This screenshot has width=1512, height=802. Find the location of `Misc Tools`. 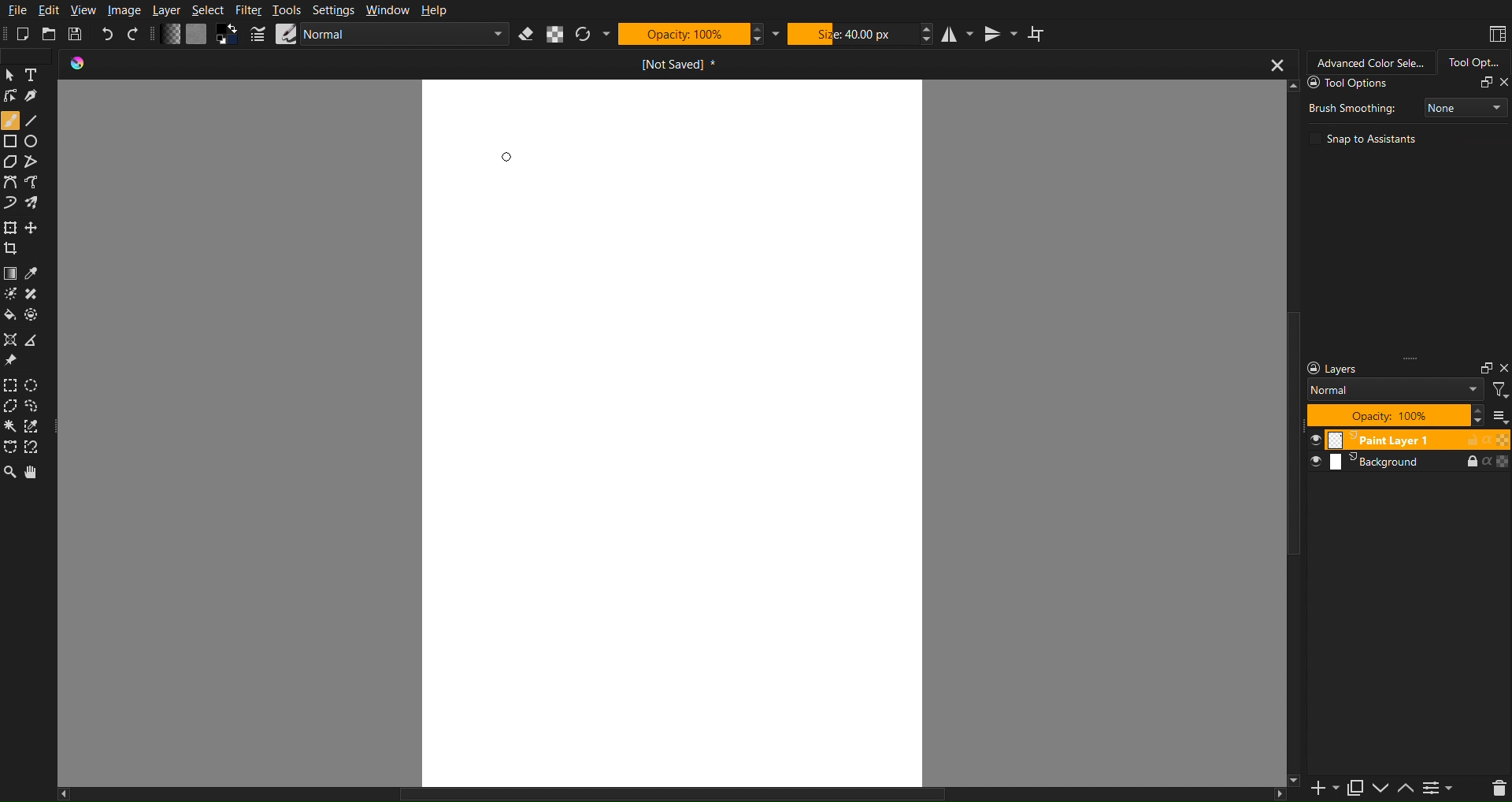

Misc Tools is located at coordinates (13, 337).